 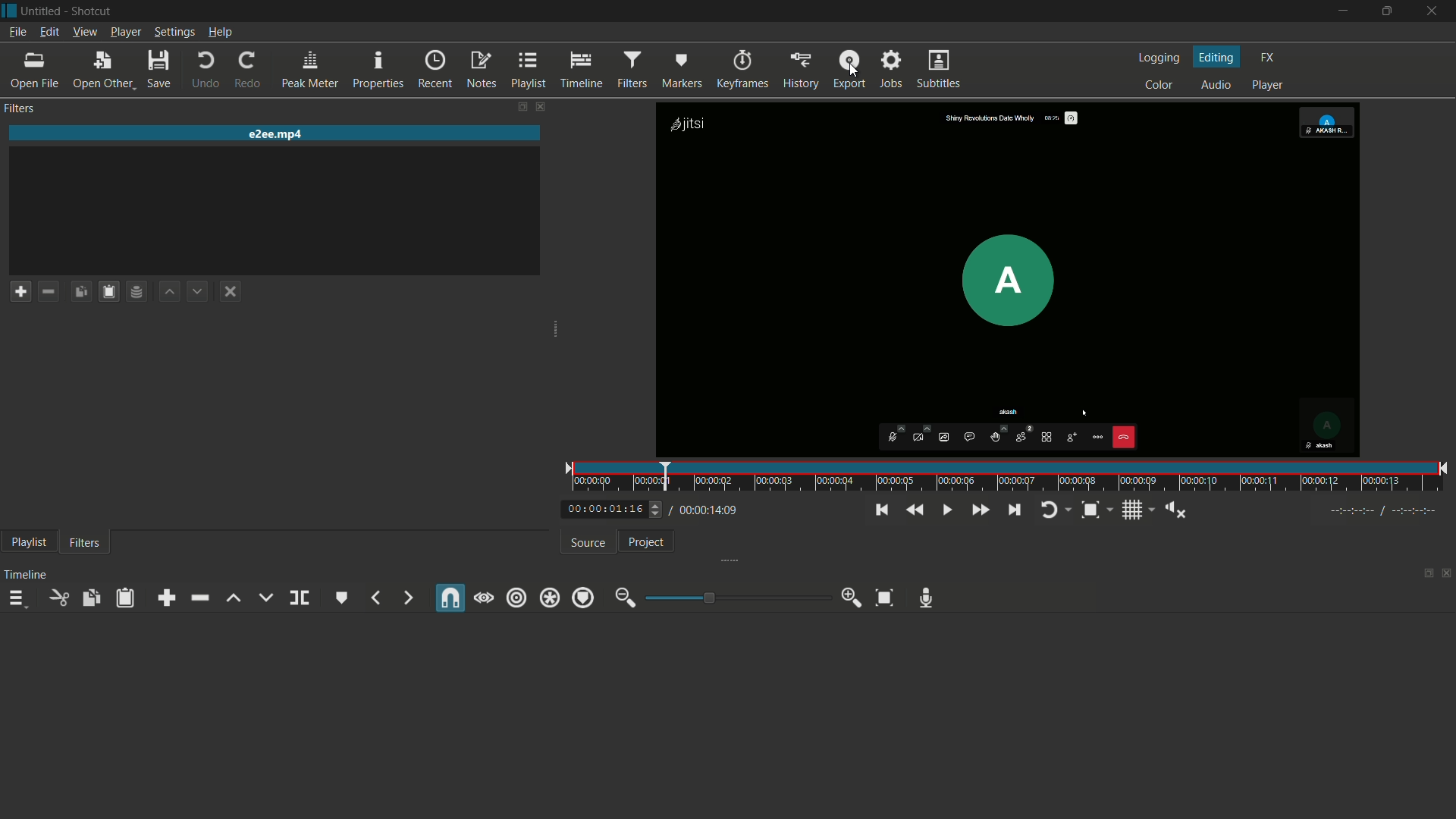 I want to click on append, so click(x=163, y=598).